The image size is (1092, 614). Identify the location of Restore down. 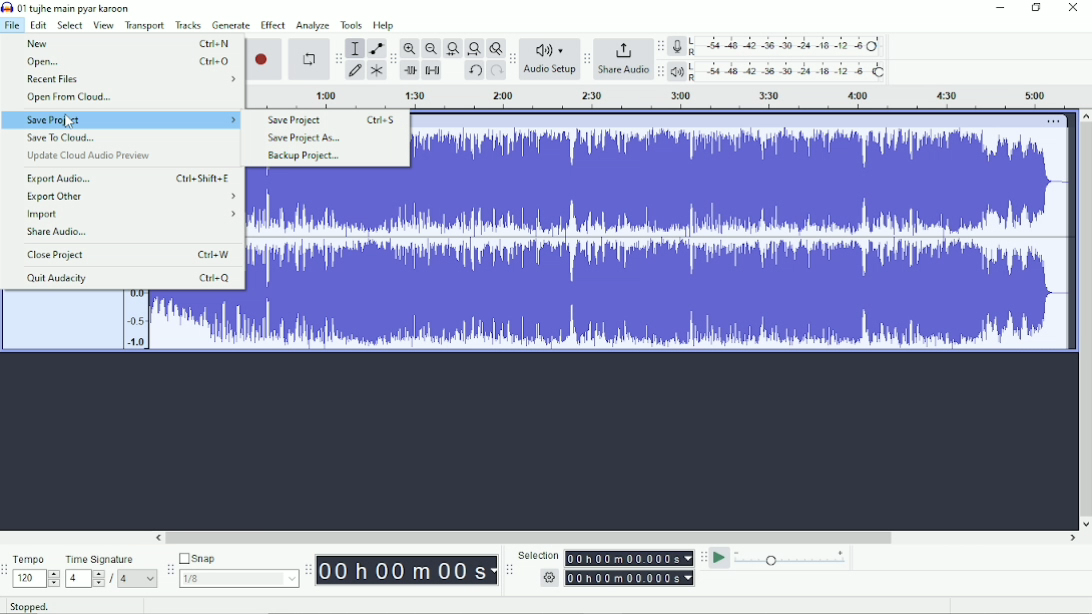
(1035, 8).